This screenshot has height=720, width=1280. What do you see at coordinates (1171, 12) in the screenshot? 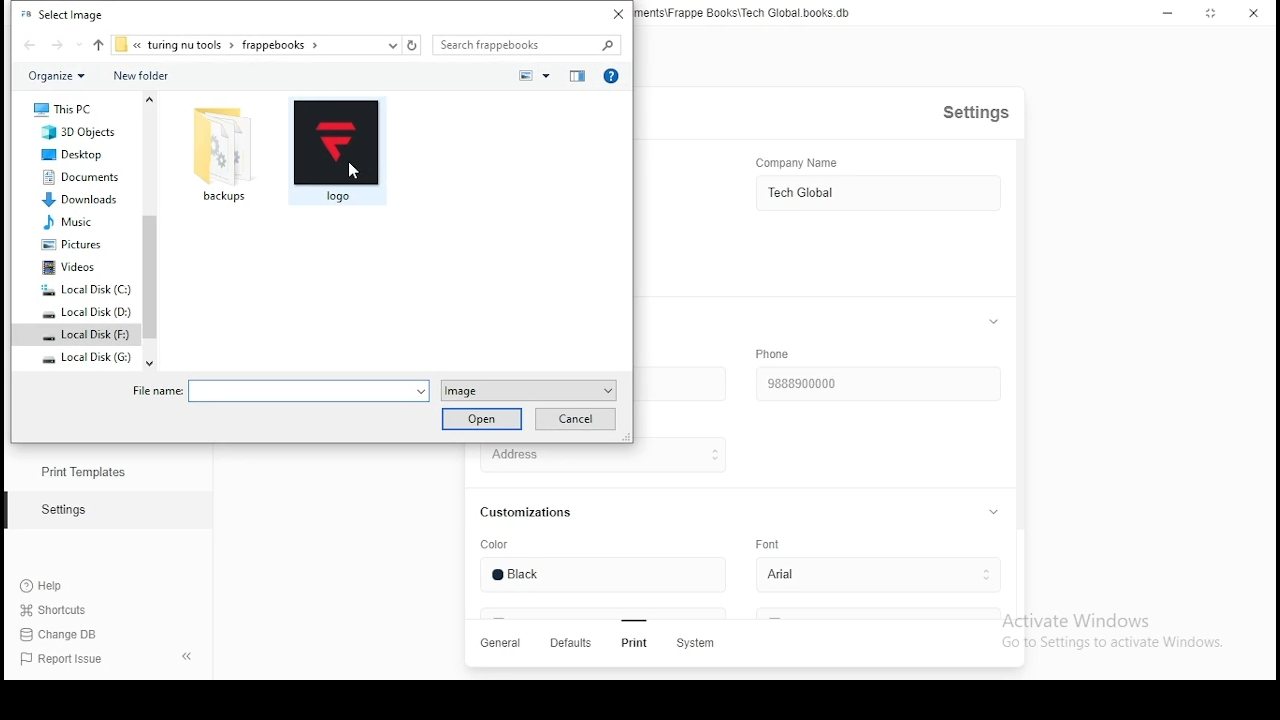
I see `MINIMIZE ` at bounding box center [1171, 12].